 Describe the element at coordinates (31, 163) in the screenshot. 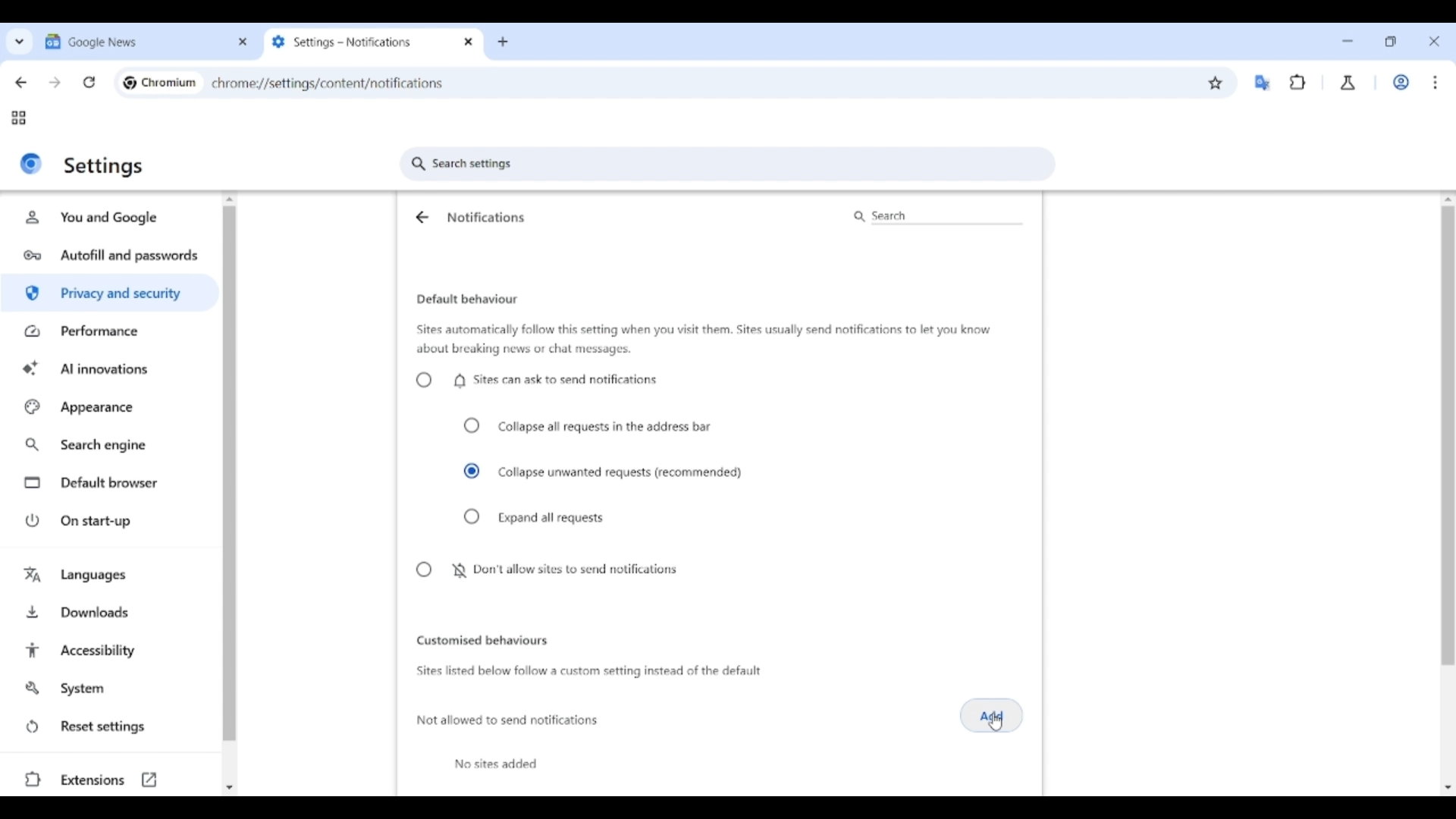

I see `Logo of current site` at that location.